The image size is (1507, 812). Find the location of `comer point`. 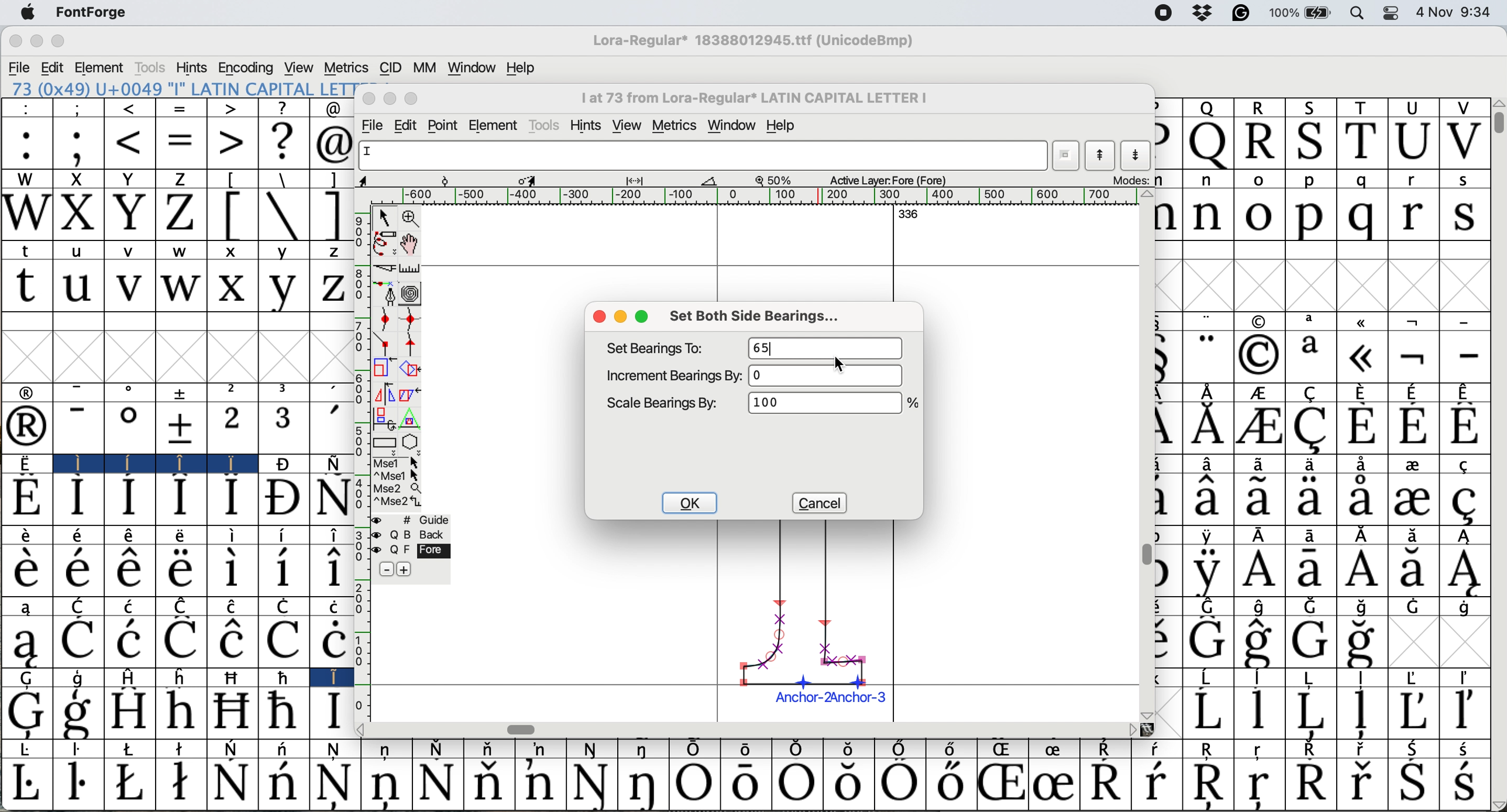

comer point is located at coordinates (384, 345).